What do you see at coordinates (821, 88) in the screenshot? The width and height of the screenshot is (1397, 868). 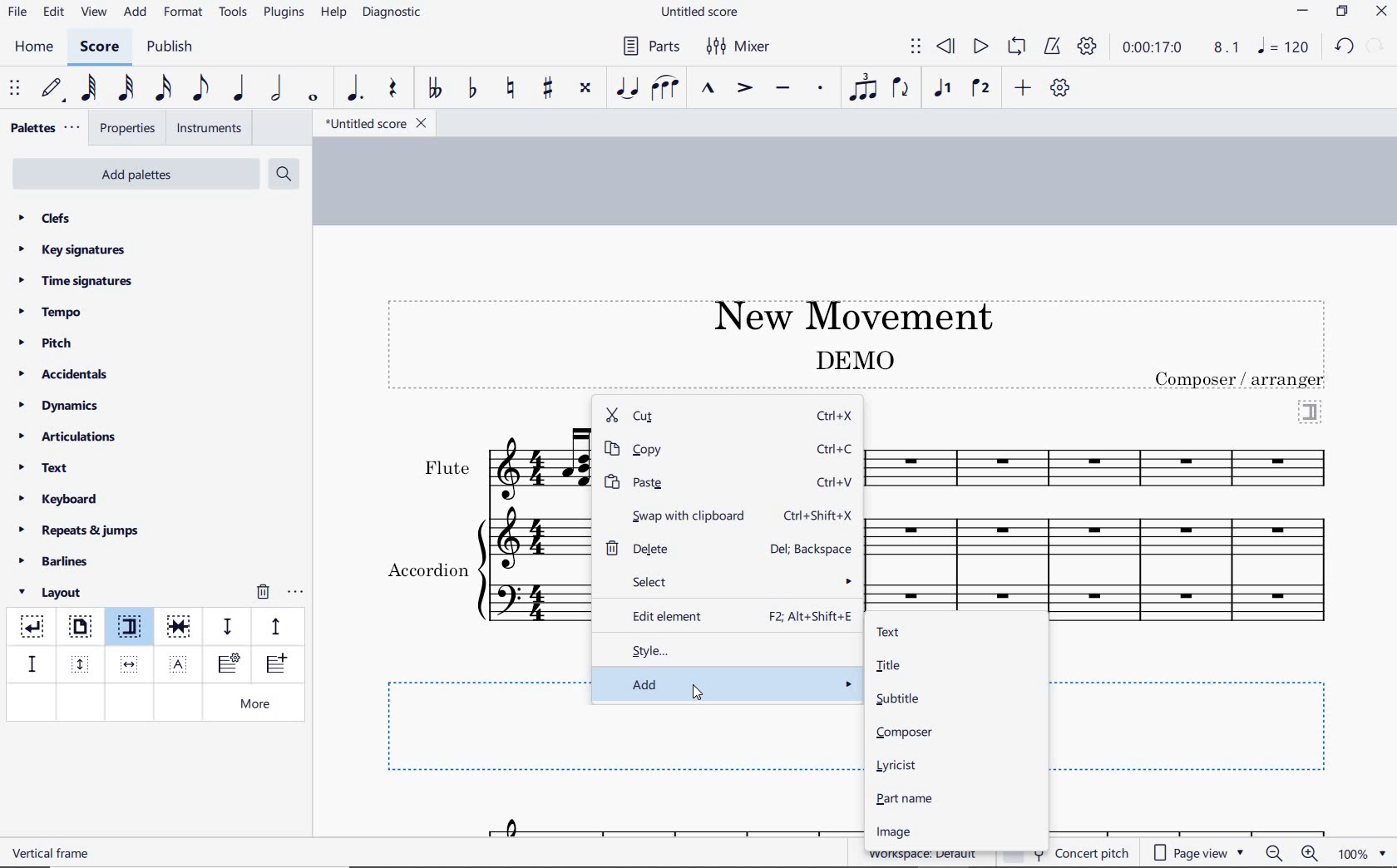 I see `staccato` at bounding box center [821, 88].